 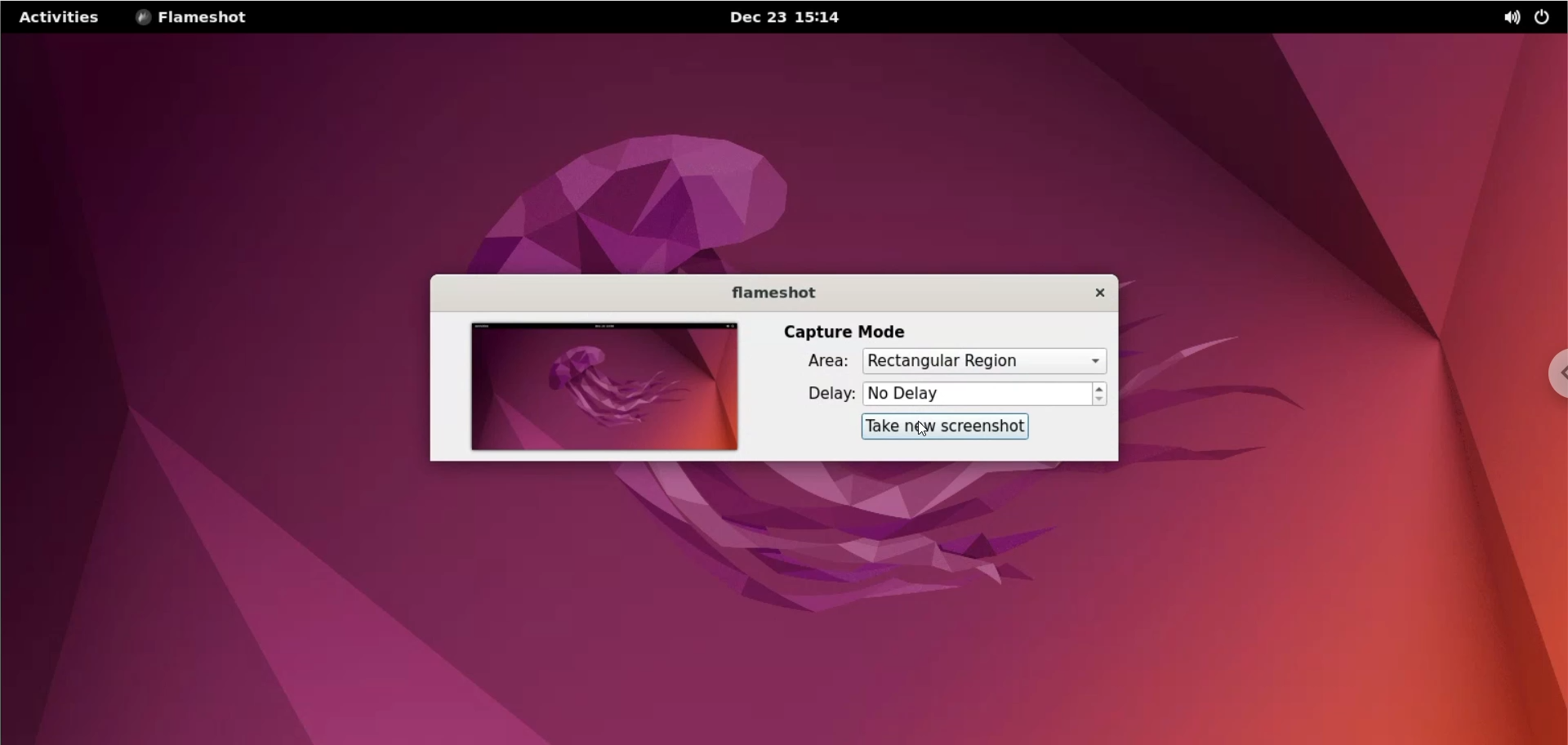 What do you see at coordinates (978, 394) in the screenshot?
I see `delay time` at bounding box center [978, 394].